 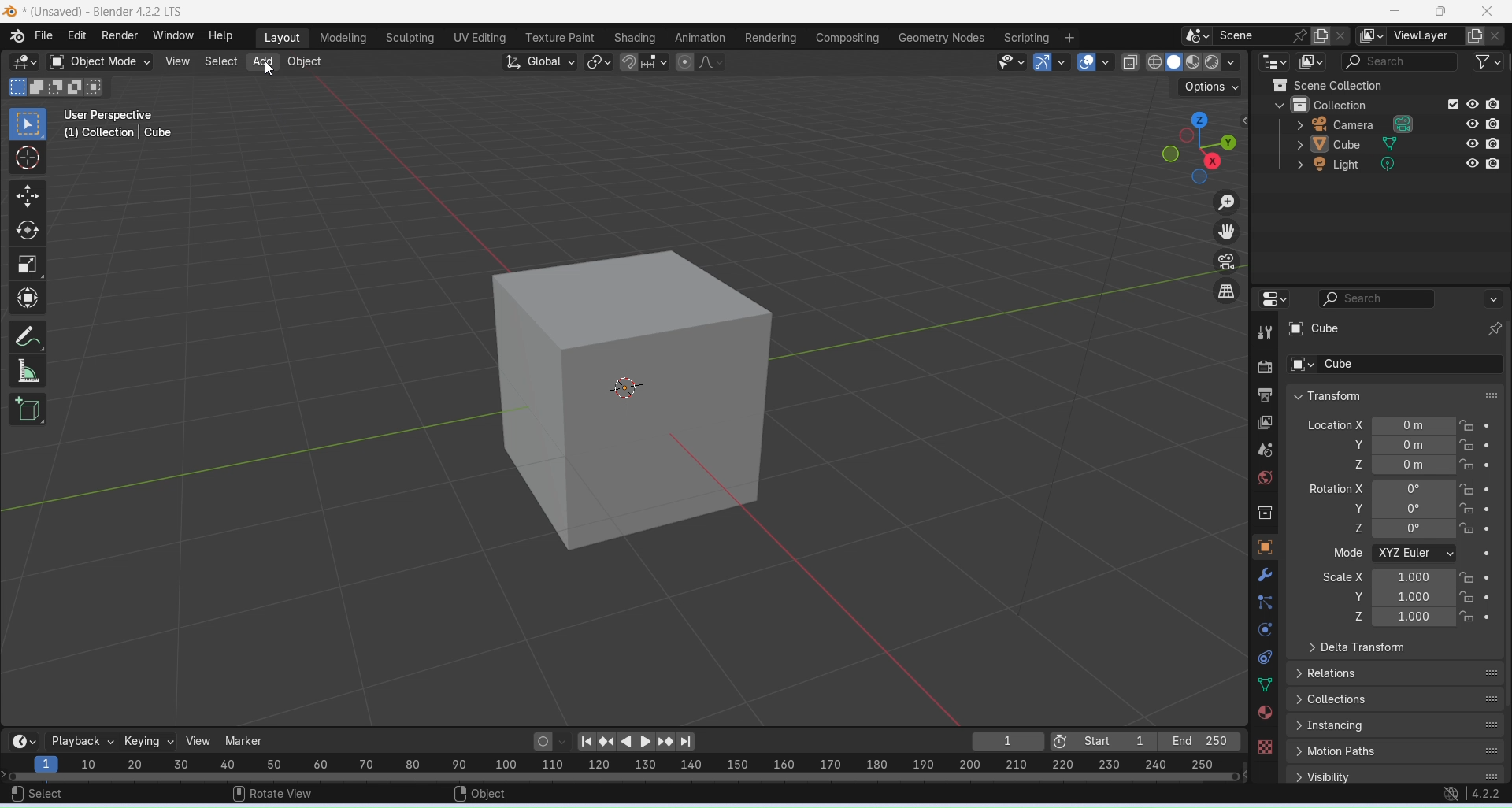 I want to click on option, so click(x=1373, y=36).